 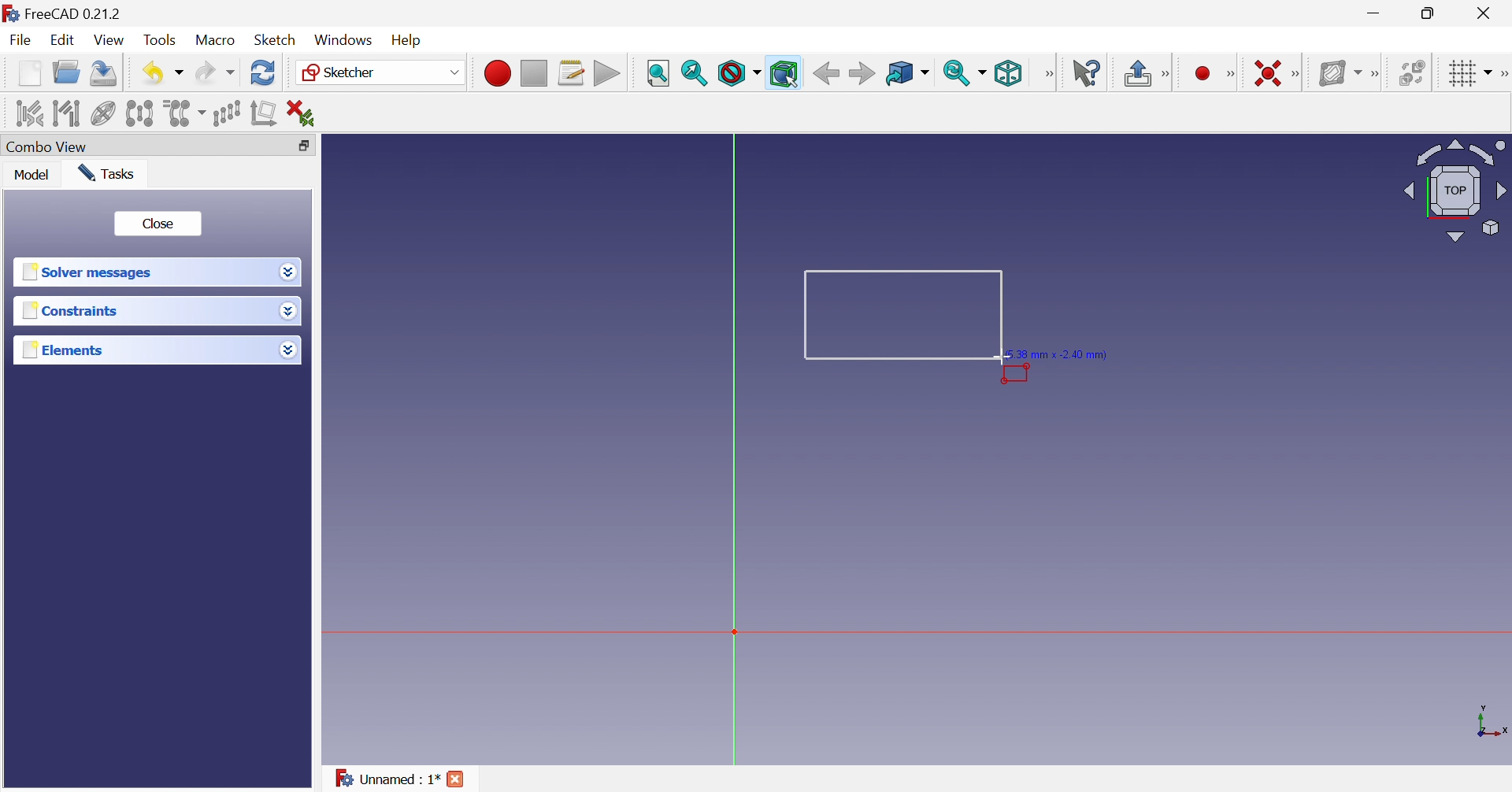 What do you see at coordinates (1469, 72) in the screenshot?
I see `Toggle grid` at bounding box center [1469, 72].